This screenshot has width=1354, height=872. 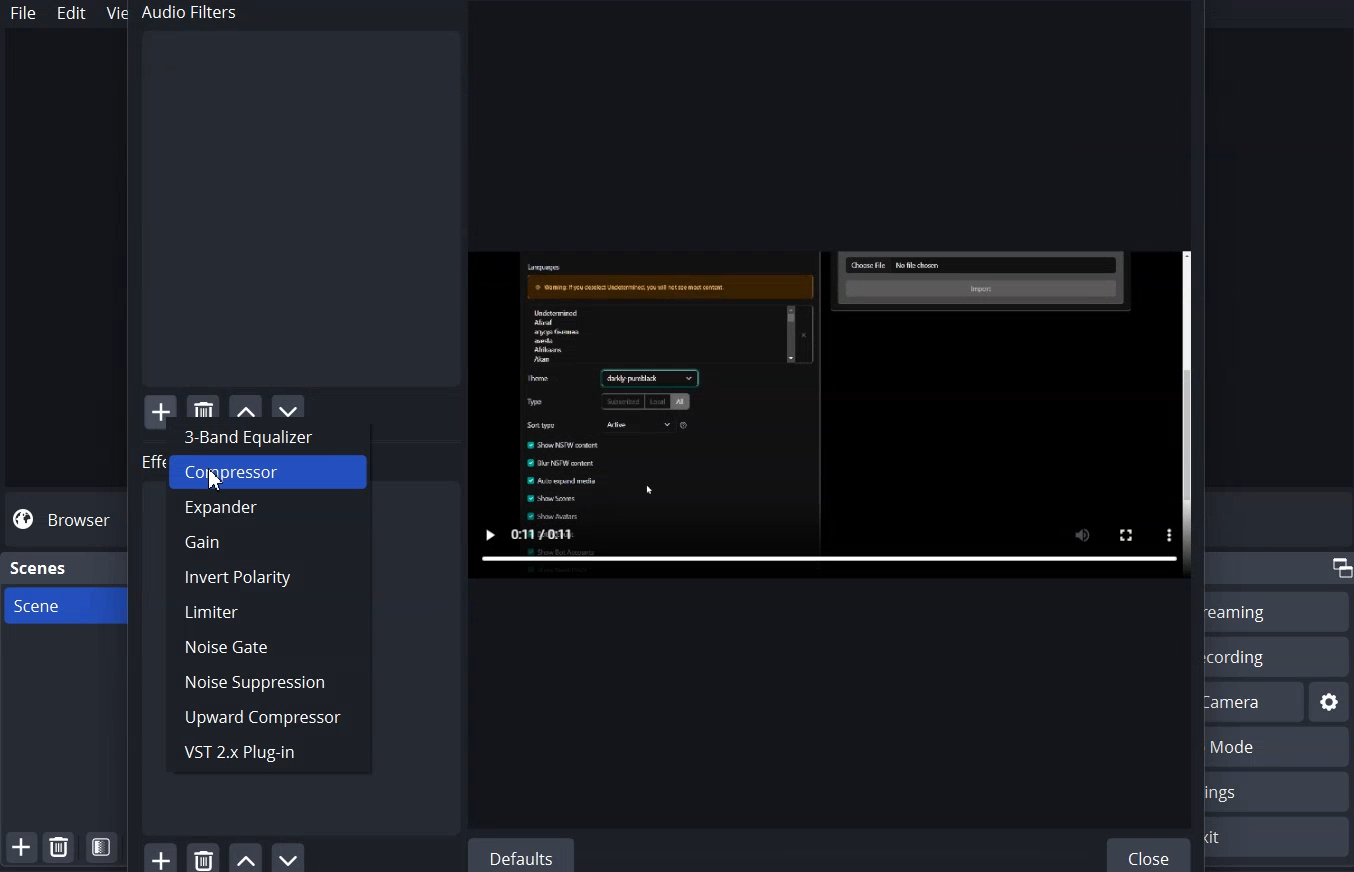 I want to click on Settings, so click(x=1330, y=702).